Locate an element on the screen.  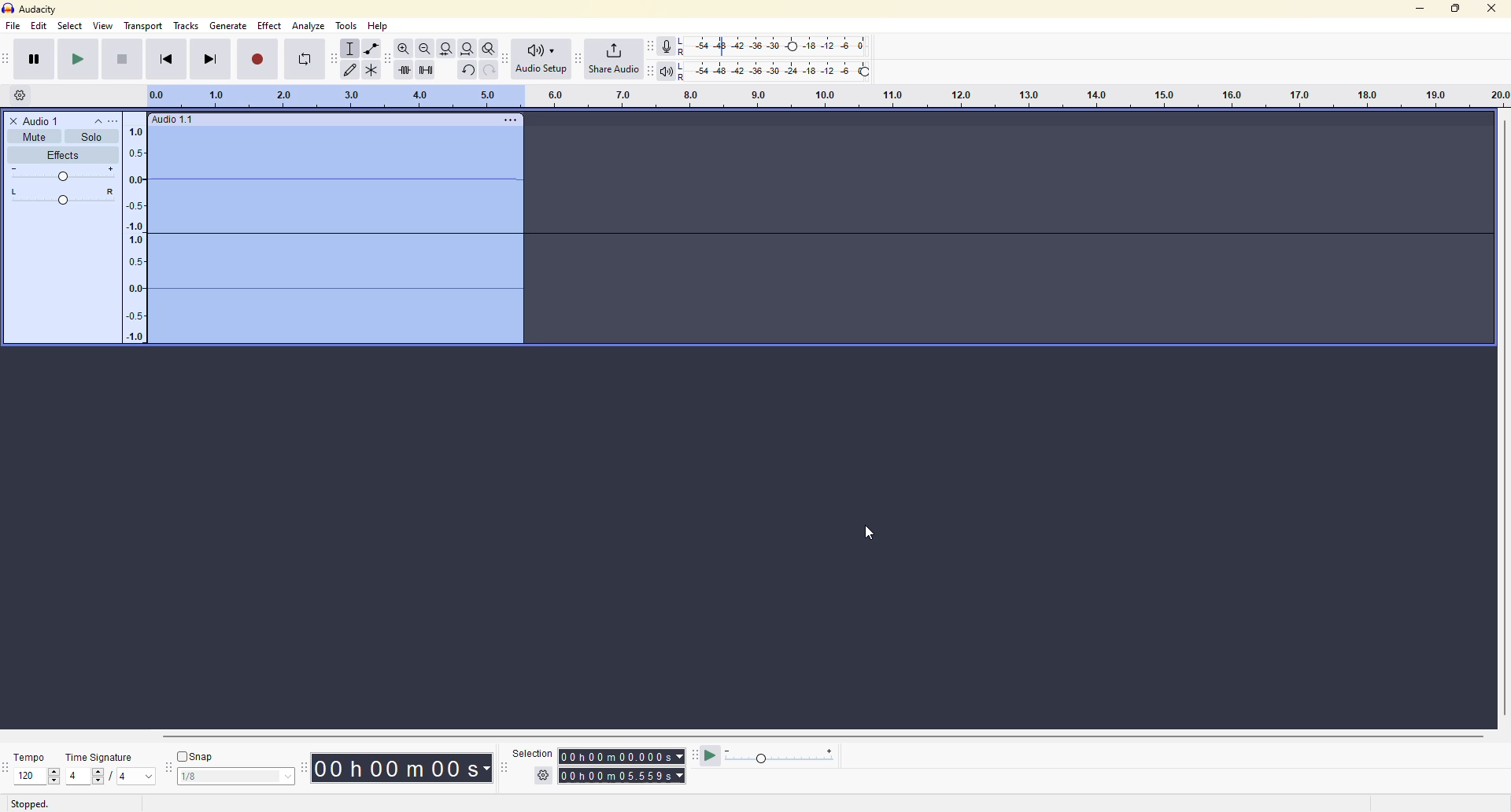
click and drag to define looping region is located at coordinates (820, 96).